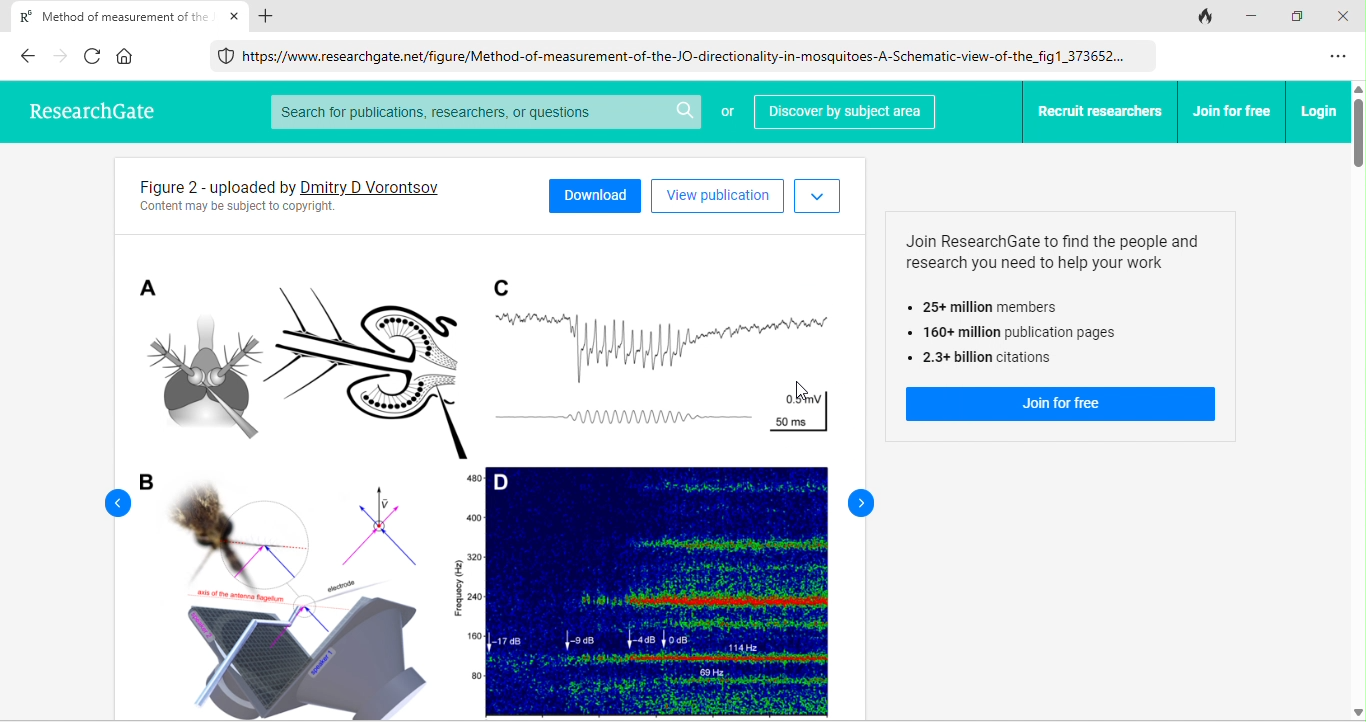  I want to click on image, so click(480, 474).